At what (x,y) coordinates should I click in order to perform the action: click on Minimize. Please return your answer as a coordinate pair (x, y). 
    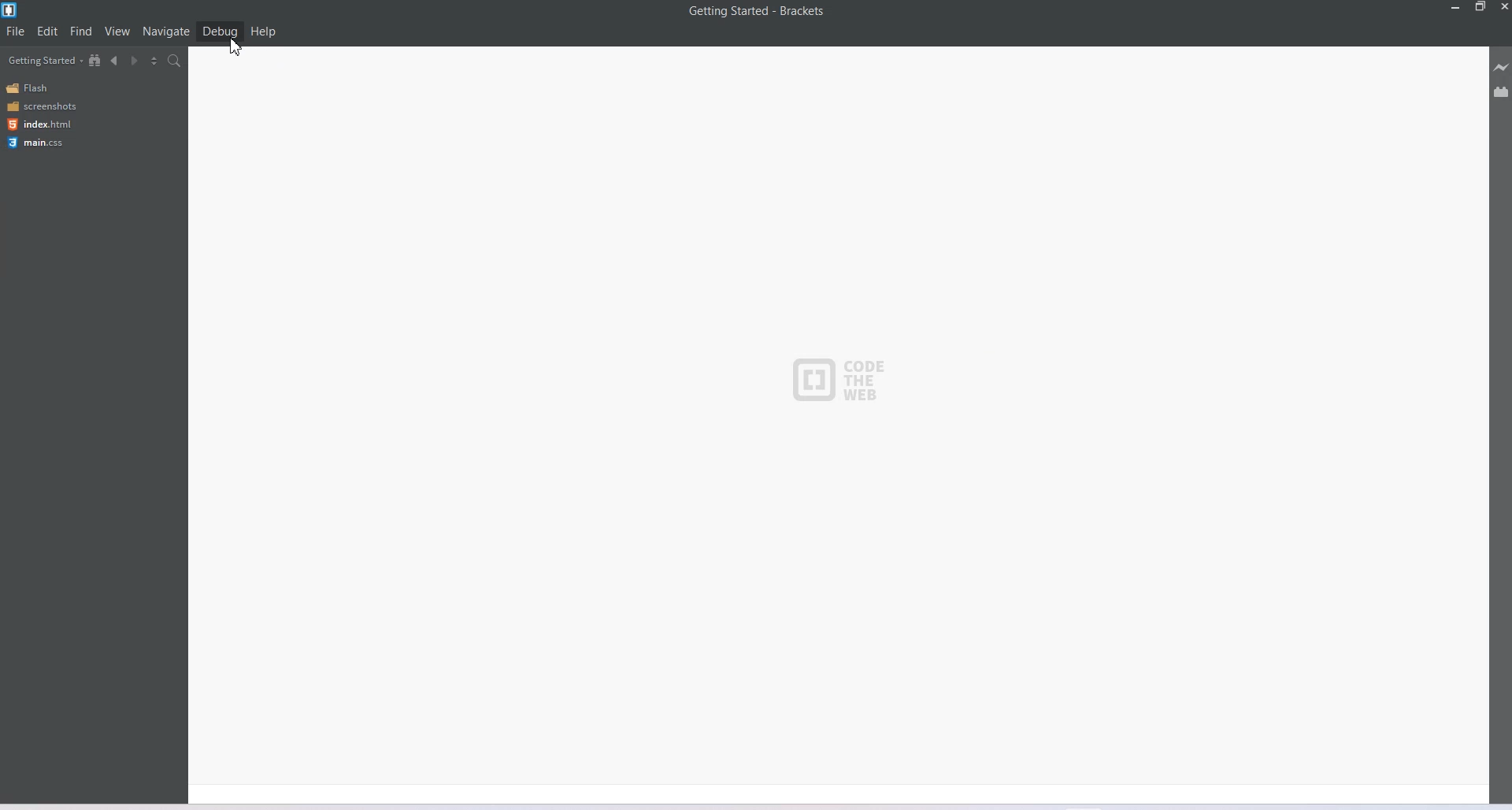
    Looking at the image, I should click on (1456, 7).